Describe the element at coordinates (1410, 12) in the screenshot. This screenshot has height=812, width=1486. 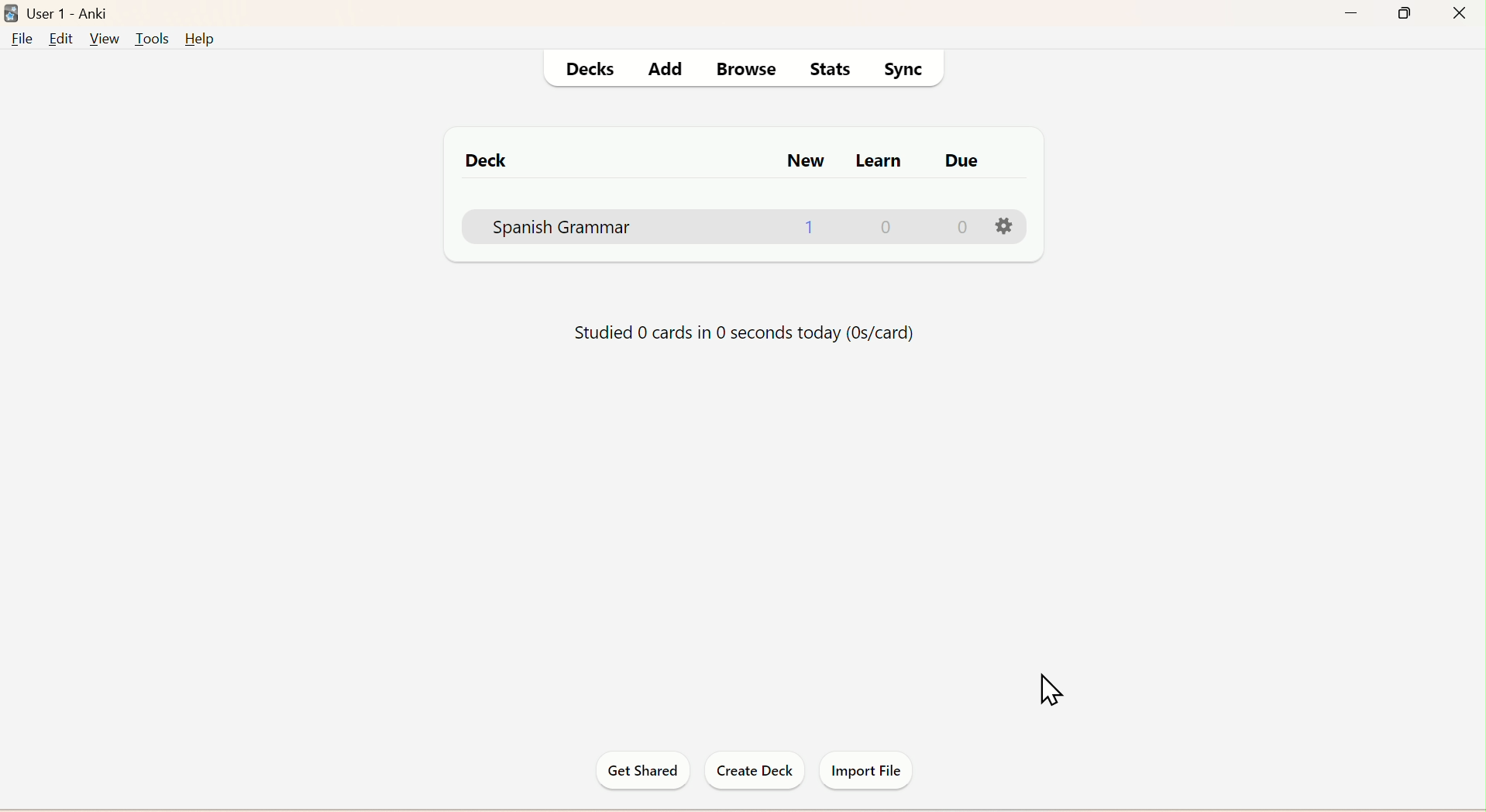
I see `Maximize` at that location.